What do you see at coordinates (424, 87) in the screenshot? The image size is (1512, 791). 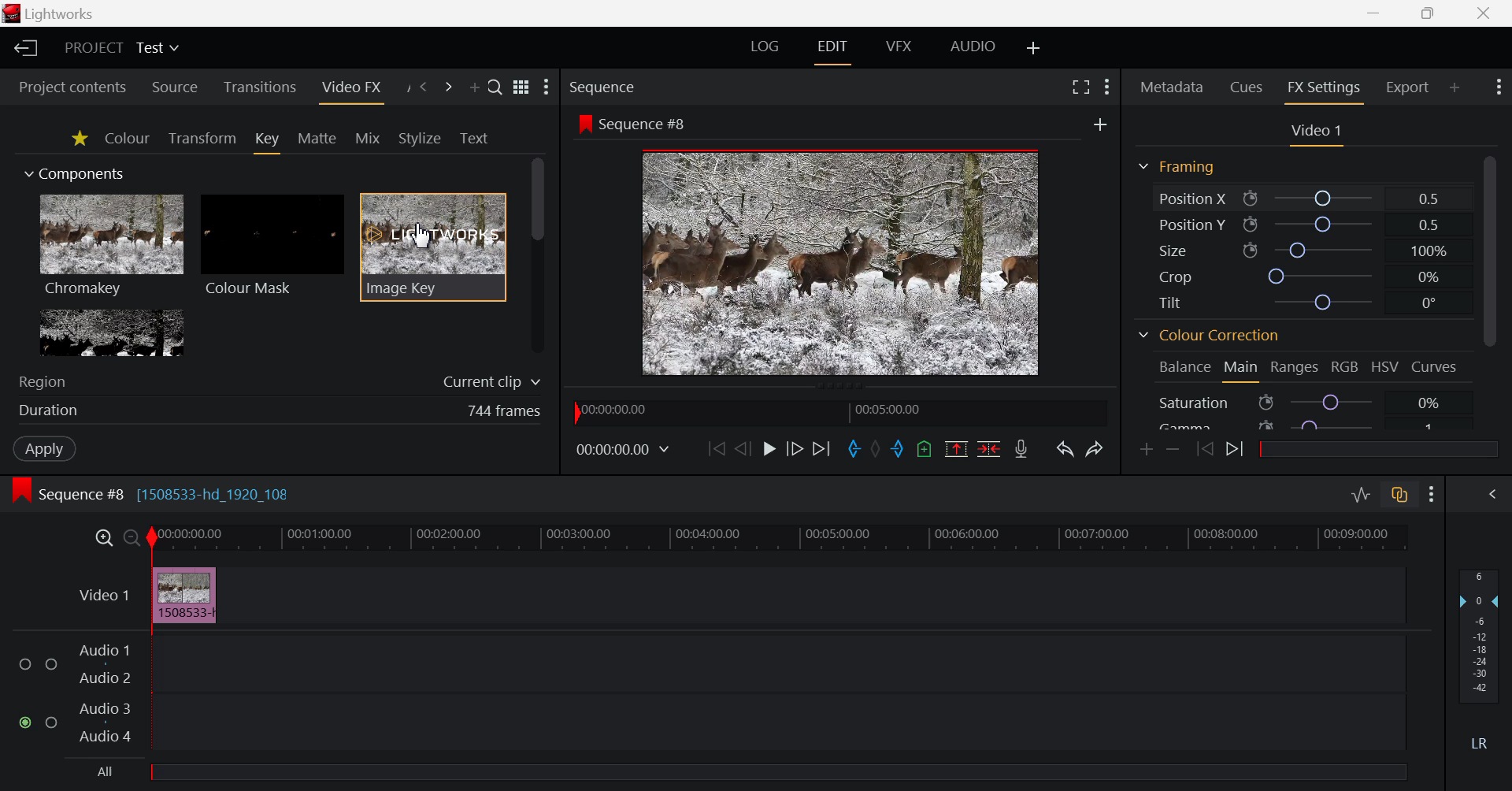 I see `Previous Panel` at bounding box center [424, 87].